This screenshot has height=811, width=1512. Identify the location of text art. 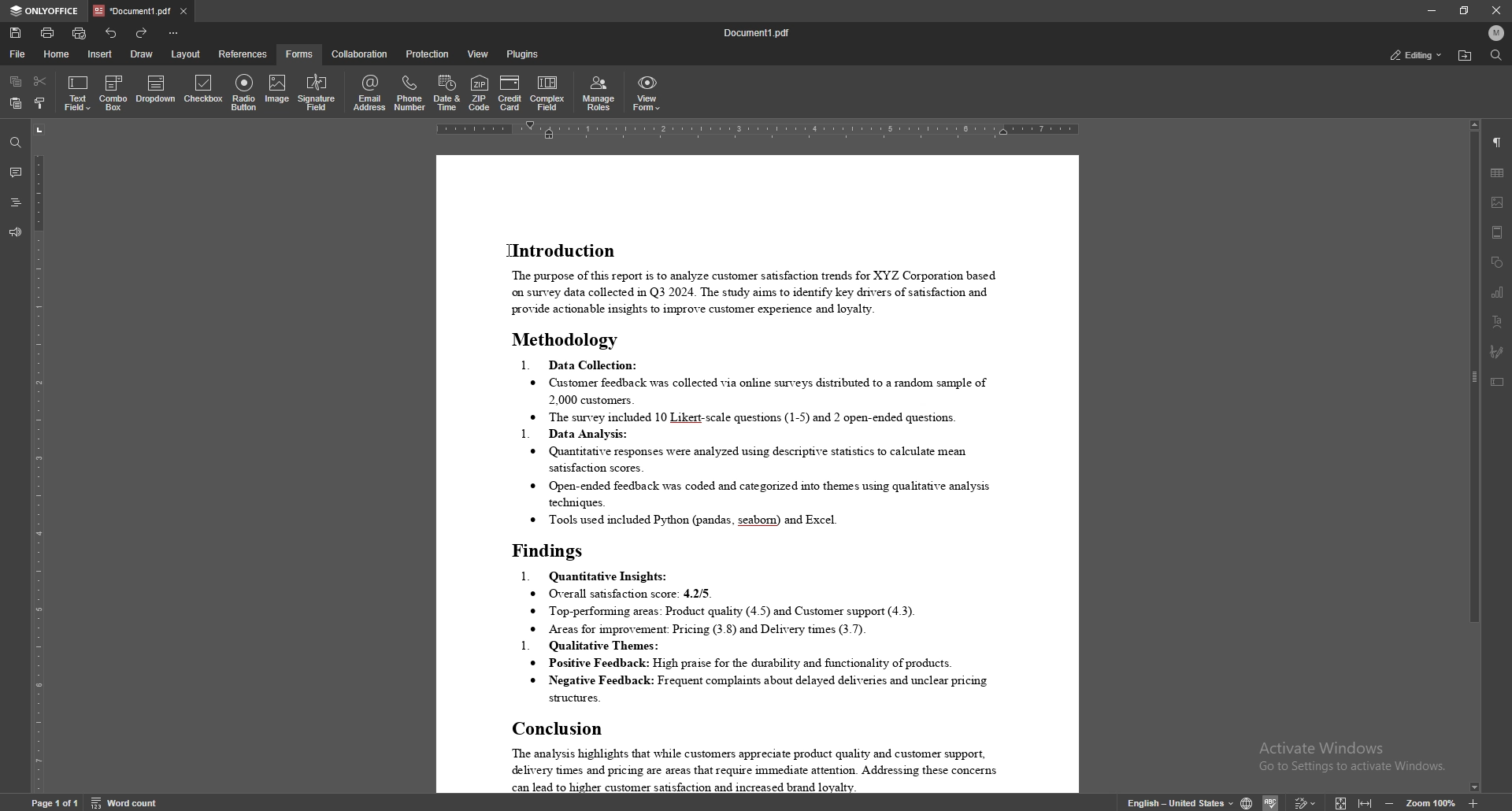
(1497, 323).